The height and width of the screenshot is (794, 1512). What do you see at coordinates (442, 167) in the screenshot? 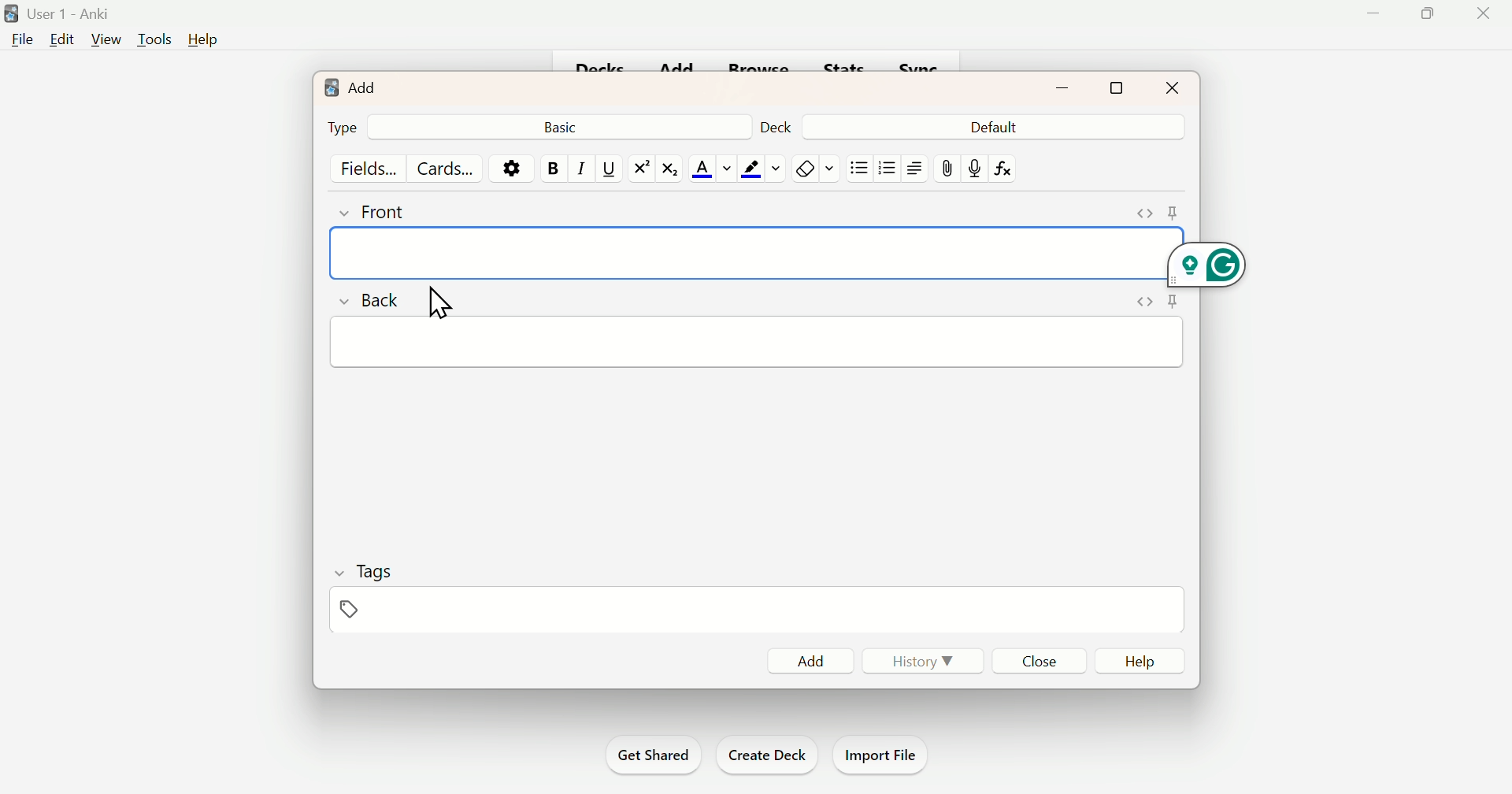
I see `Cards...` at bounding box center [442, 167].